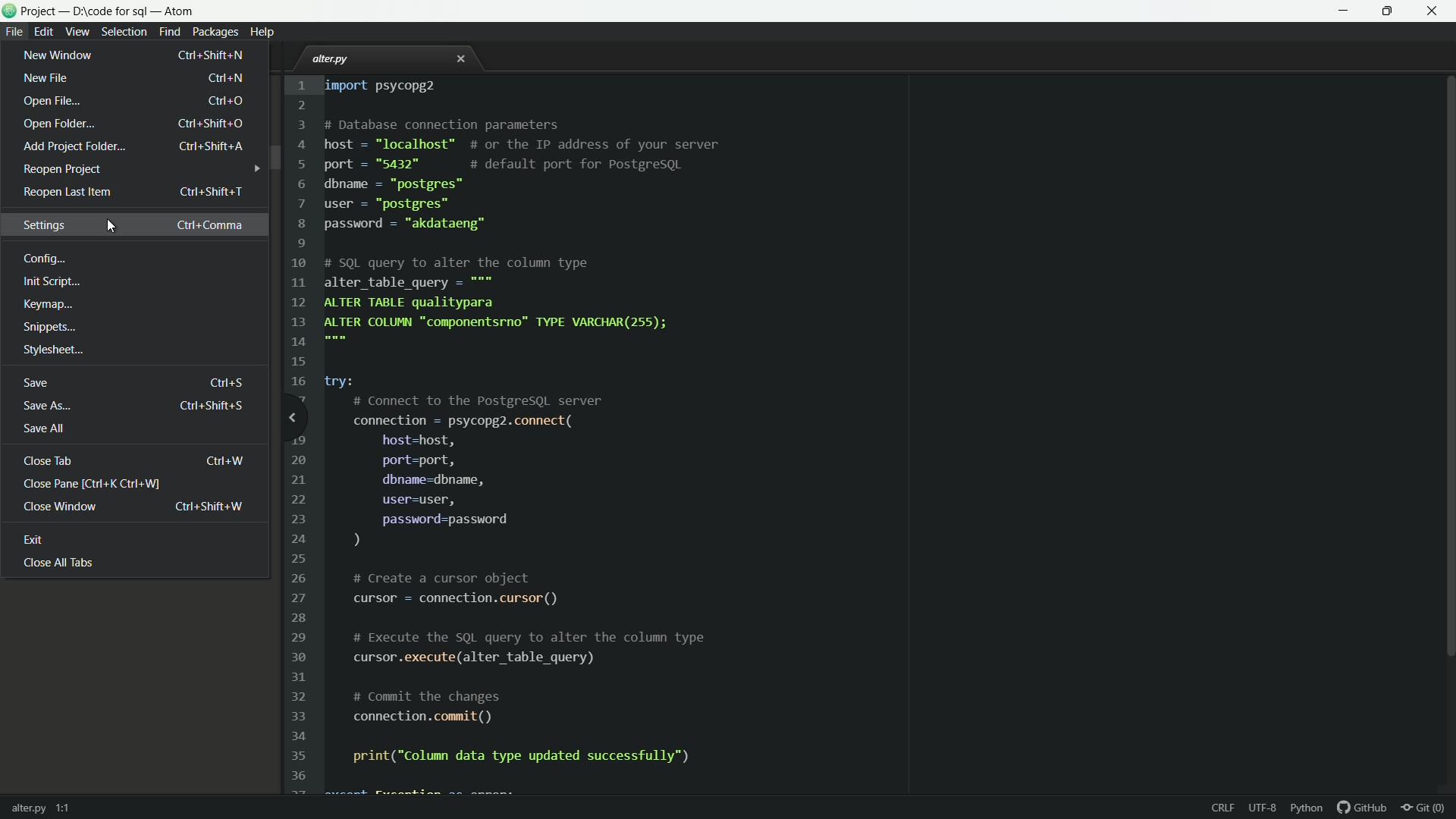  What do you see at coordinates (1308, 808) in the screenshot?
I see `language` at bounding box center [1308, 808].